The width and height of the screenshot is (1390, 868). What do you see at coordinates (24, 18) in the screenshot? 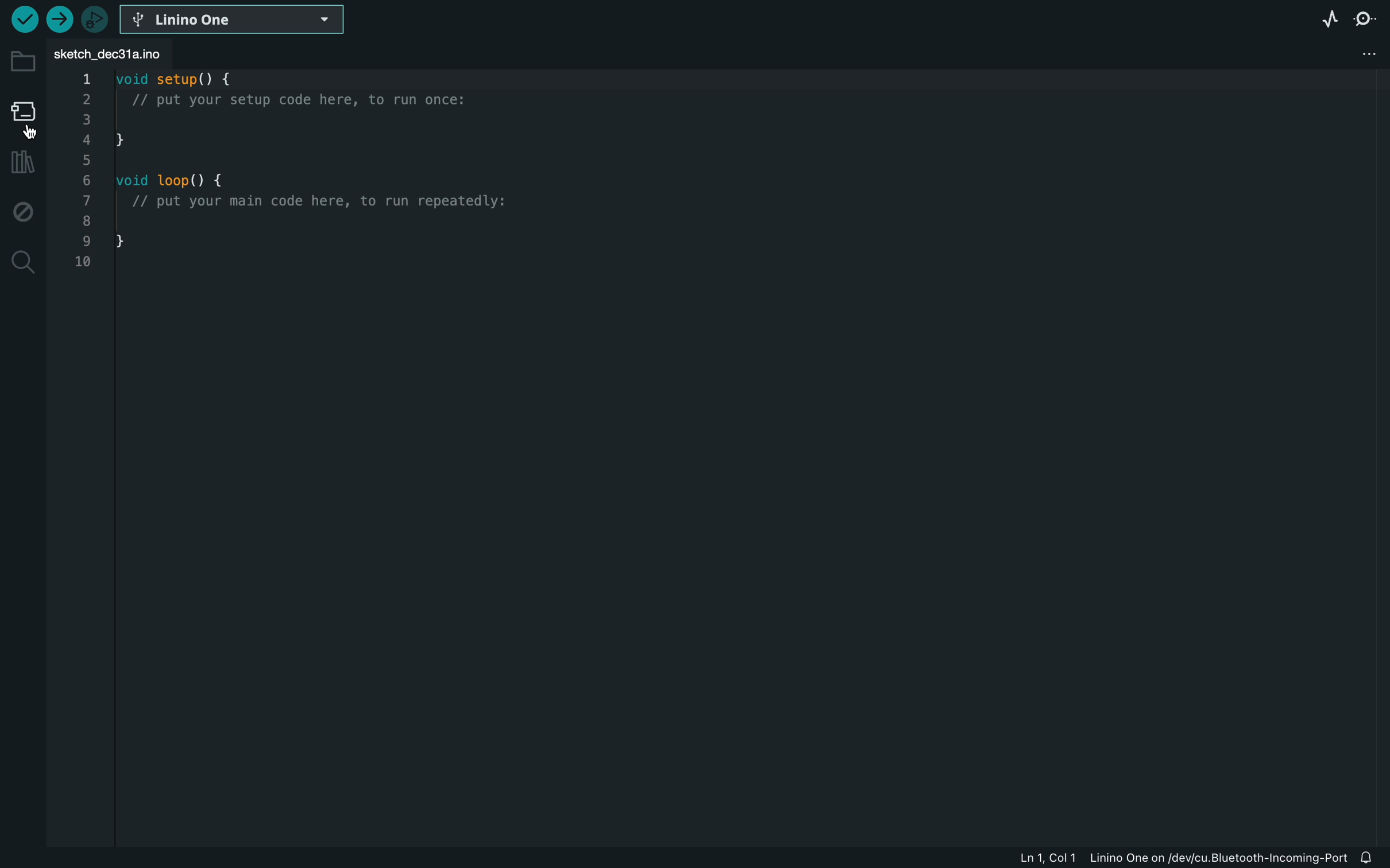
I see `verify` at bounding box center [24, 18].